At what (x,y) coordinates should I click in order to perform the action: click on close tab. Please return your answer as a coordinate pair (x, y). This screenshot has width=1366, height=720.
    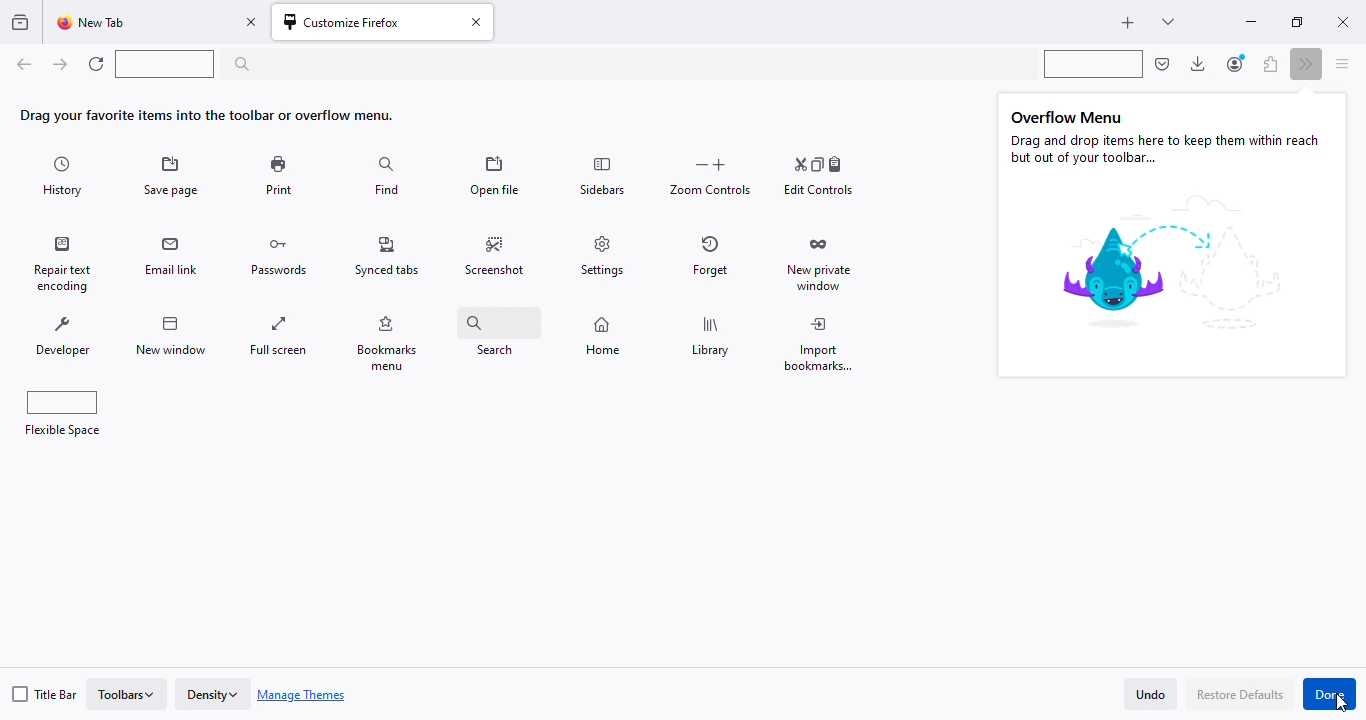
    Looking at the image, I should click on (476, 22).